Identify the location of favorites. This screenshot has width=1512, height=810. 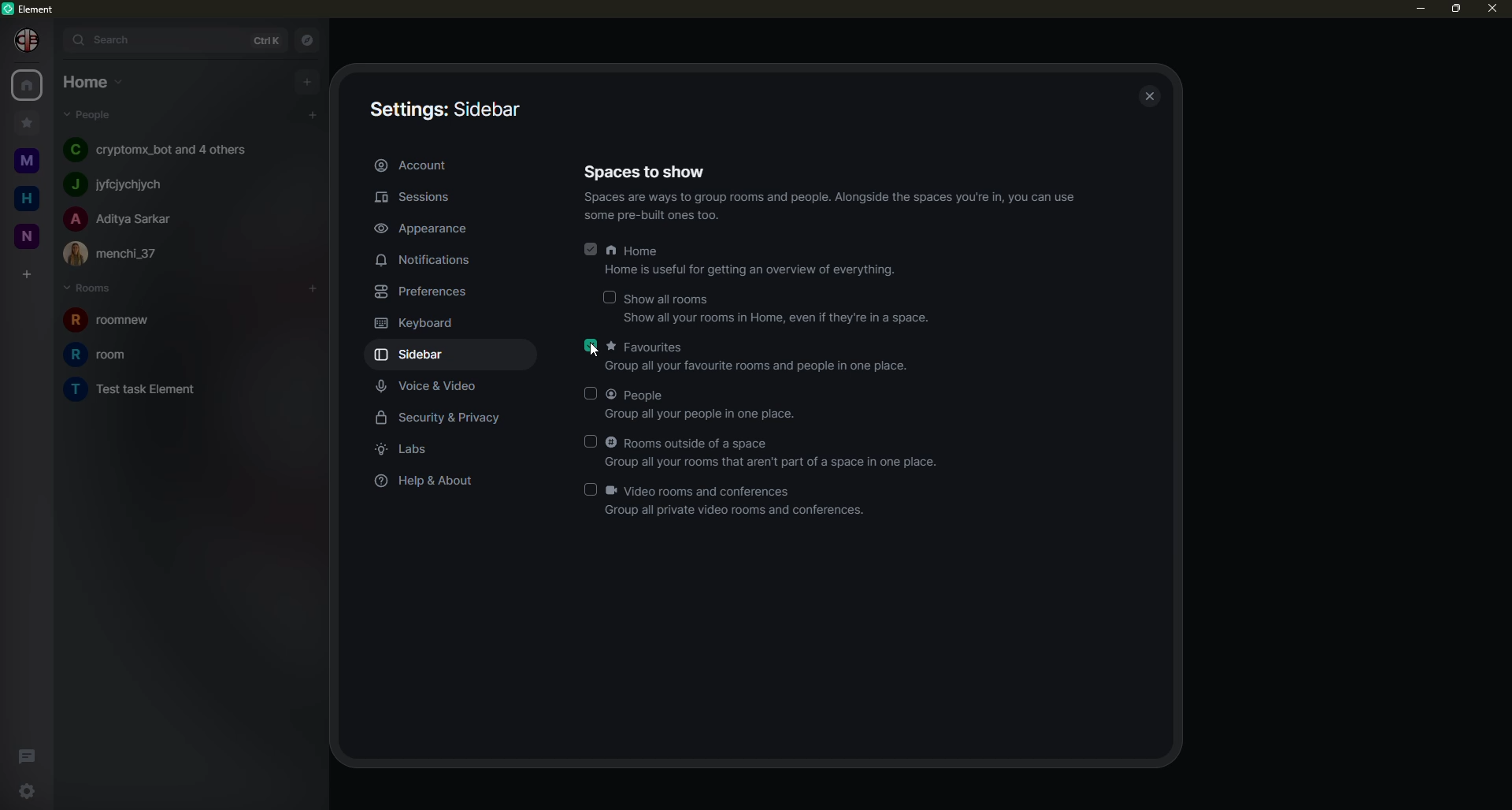
(28, 124).